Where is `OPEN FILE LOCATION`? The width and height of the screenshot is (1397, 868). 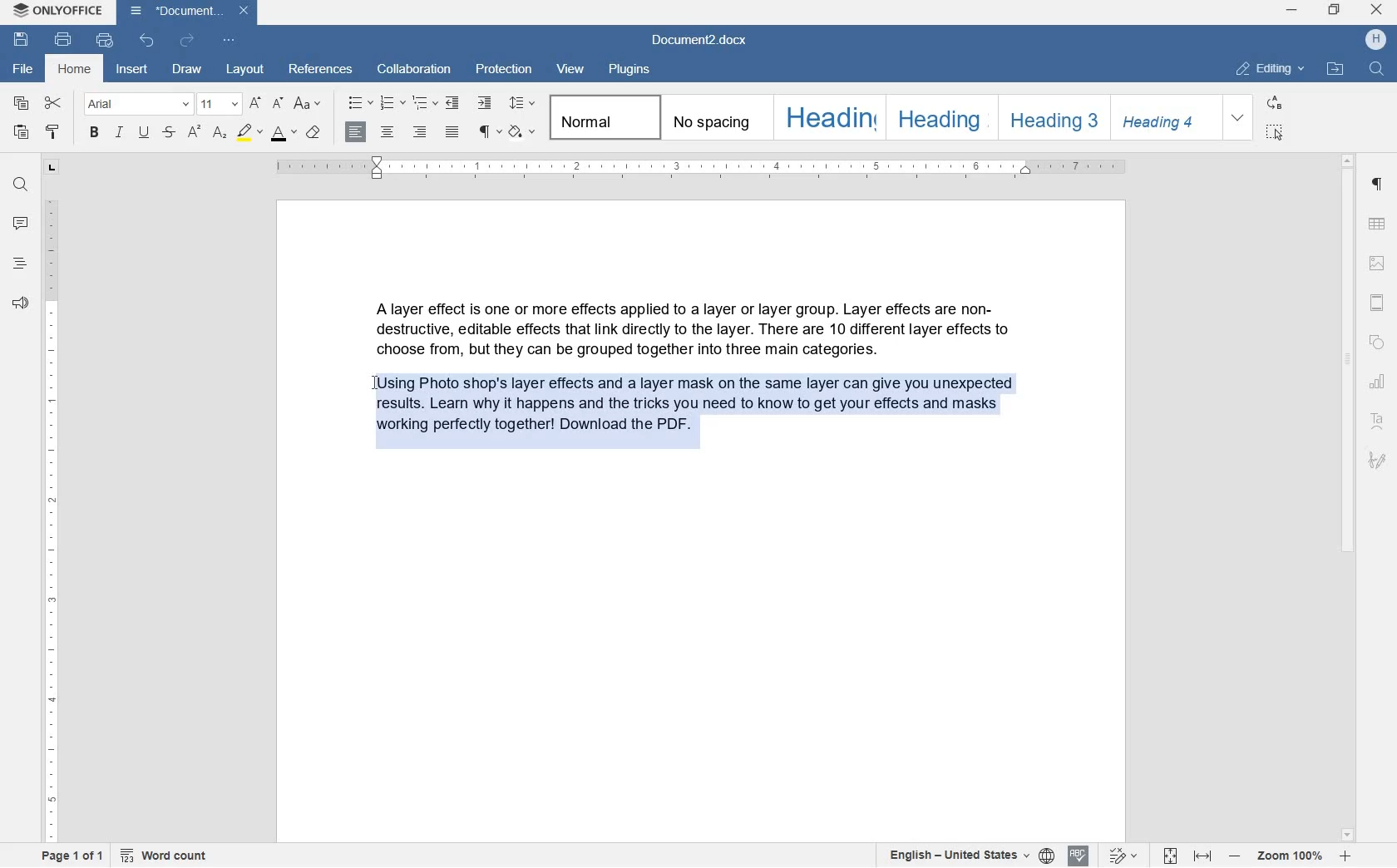
OPEN FILE LOCATION is located at coordinates (1335, 71).